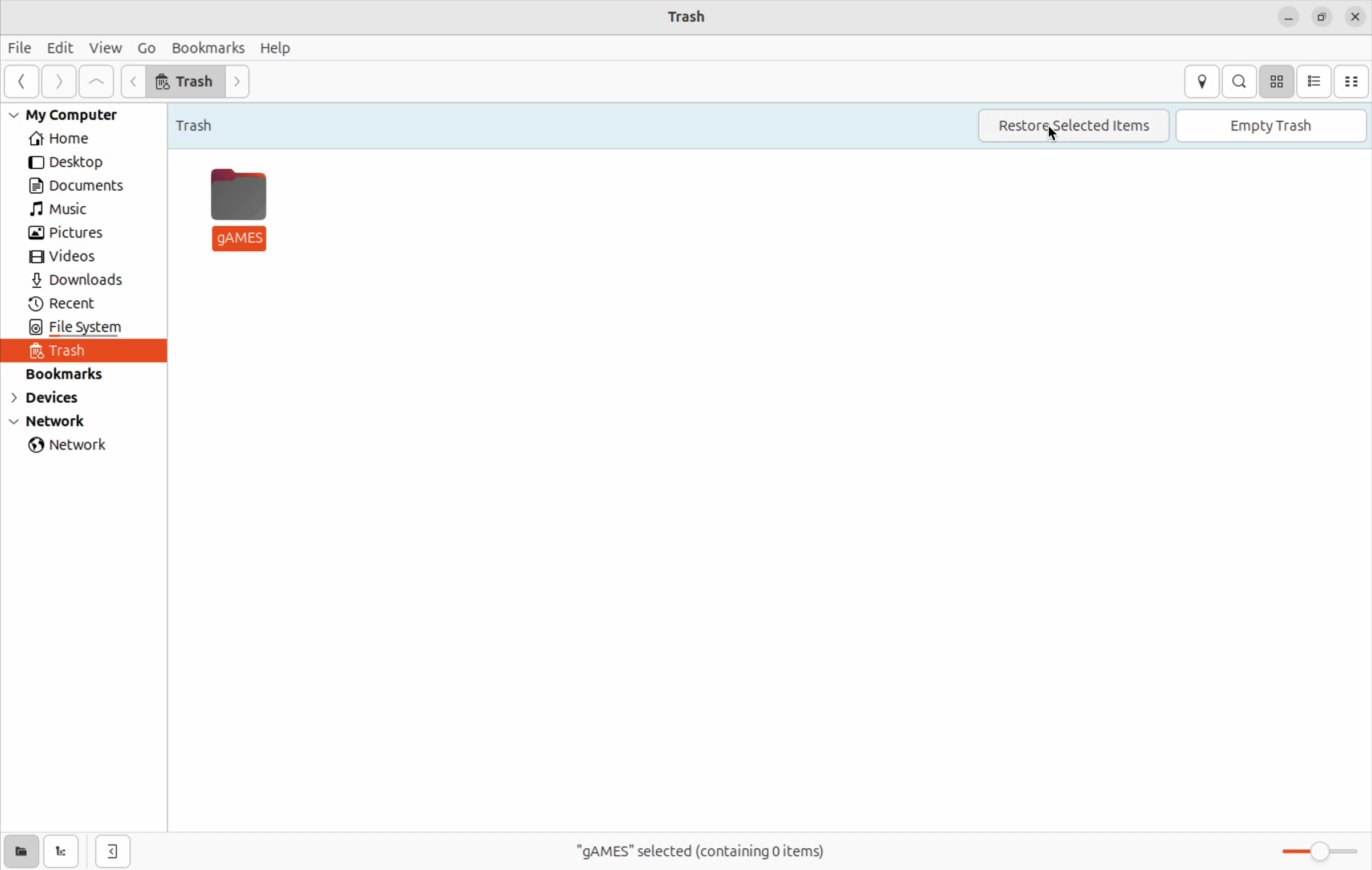 This screenshot has width=1372, height=870. What do you see at coordinates (1057, 136) in the screenshot?
I see `cursor` at bounding box center [1057, 136].